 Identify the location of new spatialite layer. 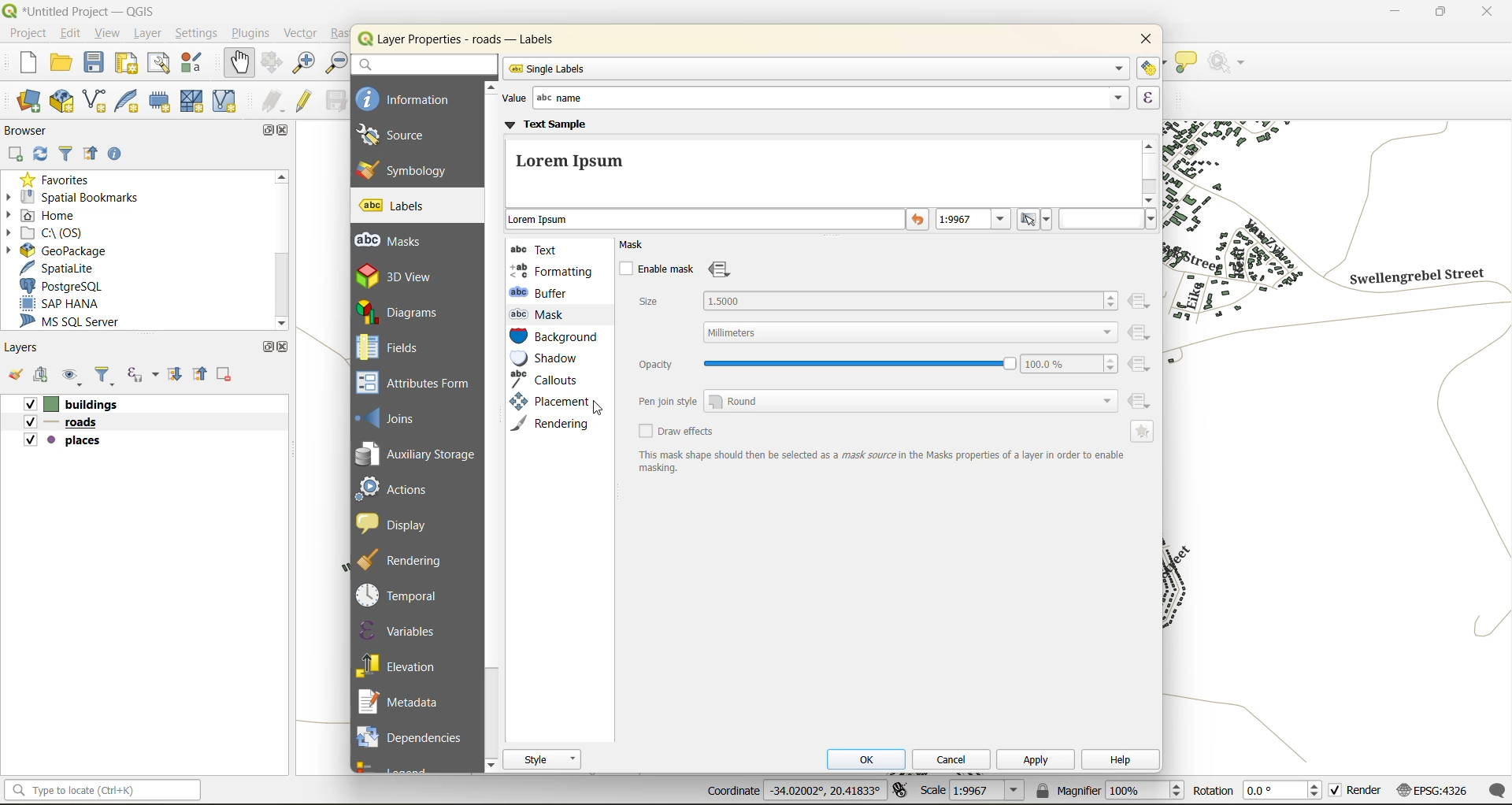
(132, 103).